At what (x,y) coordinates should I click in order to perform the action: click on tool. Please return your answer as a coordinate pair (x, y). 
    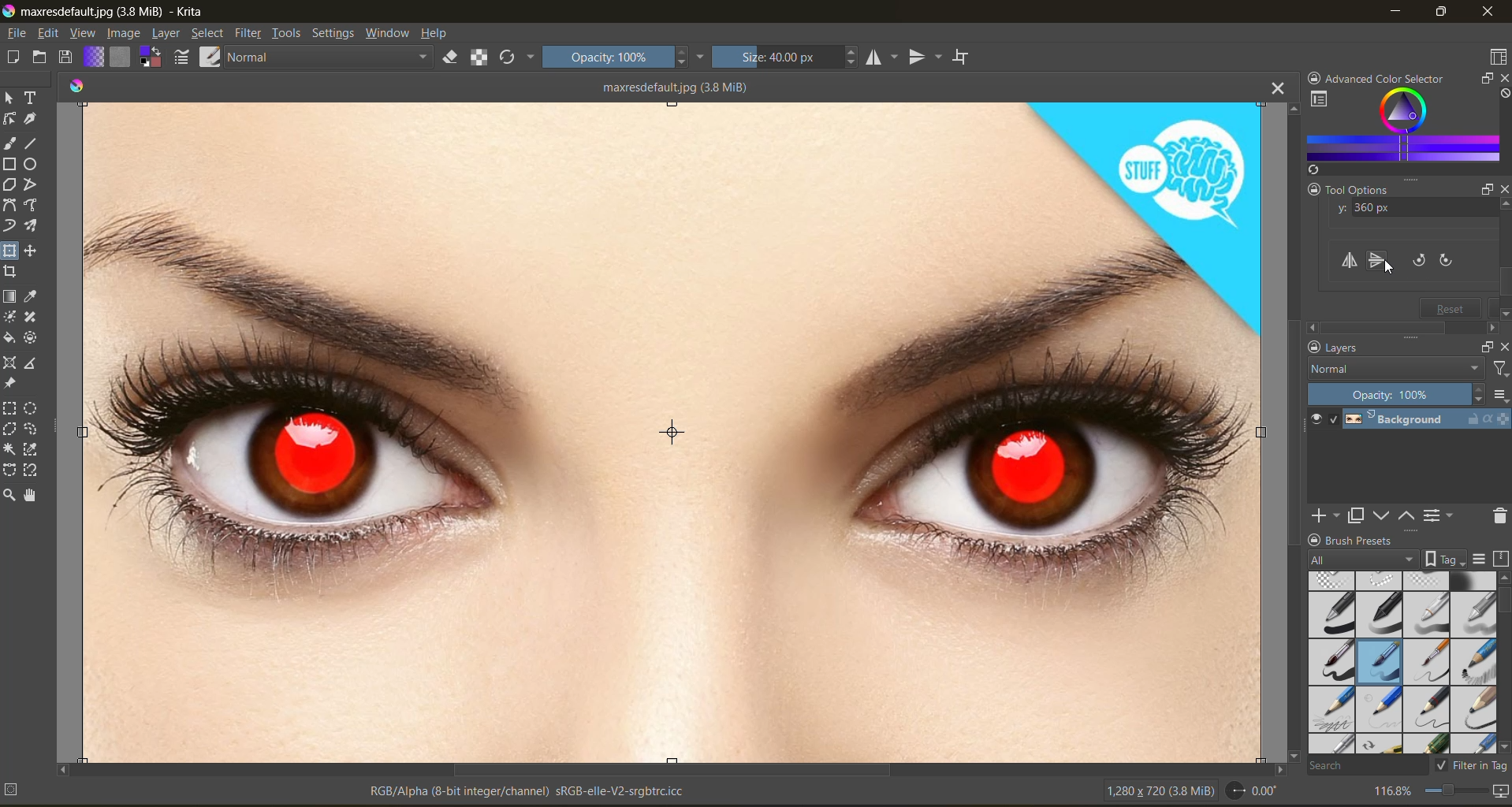
    Looking at the image, I should click on (35, 143).